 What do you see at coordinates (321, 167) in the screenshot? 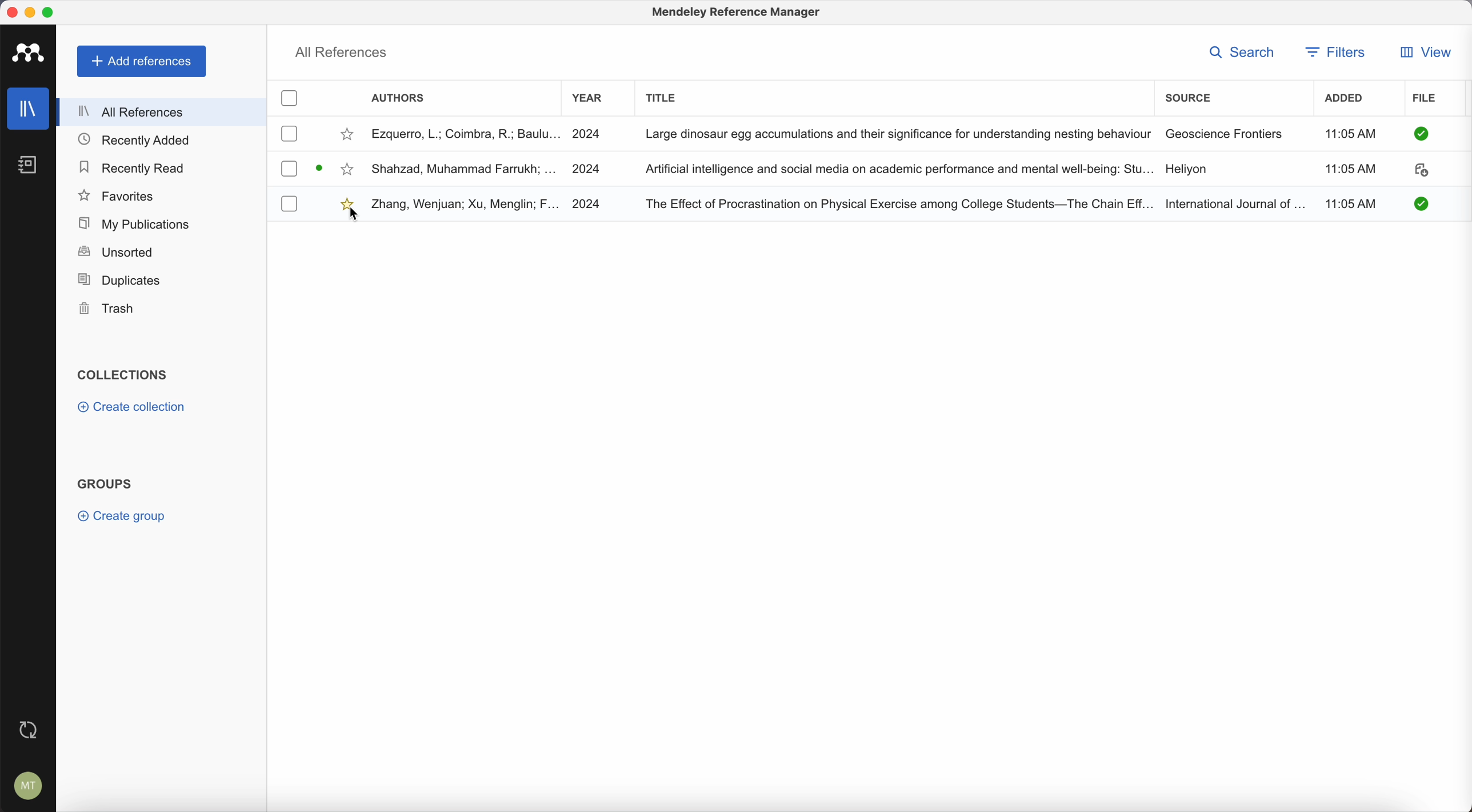
I see `download document` at bounding box center [321, 167].